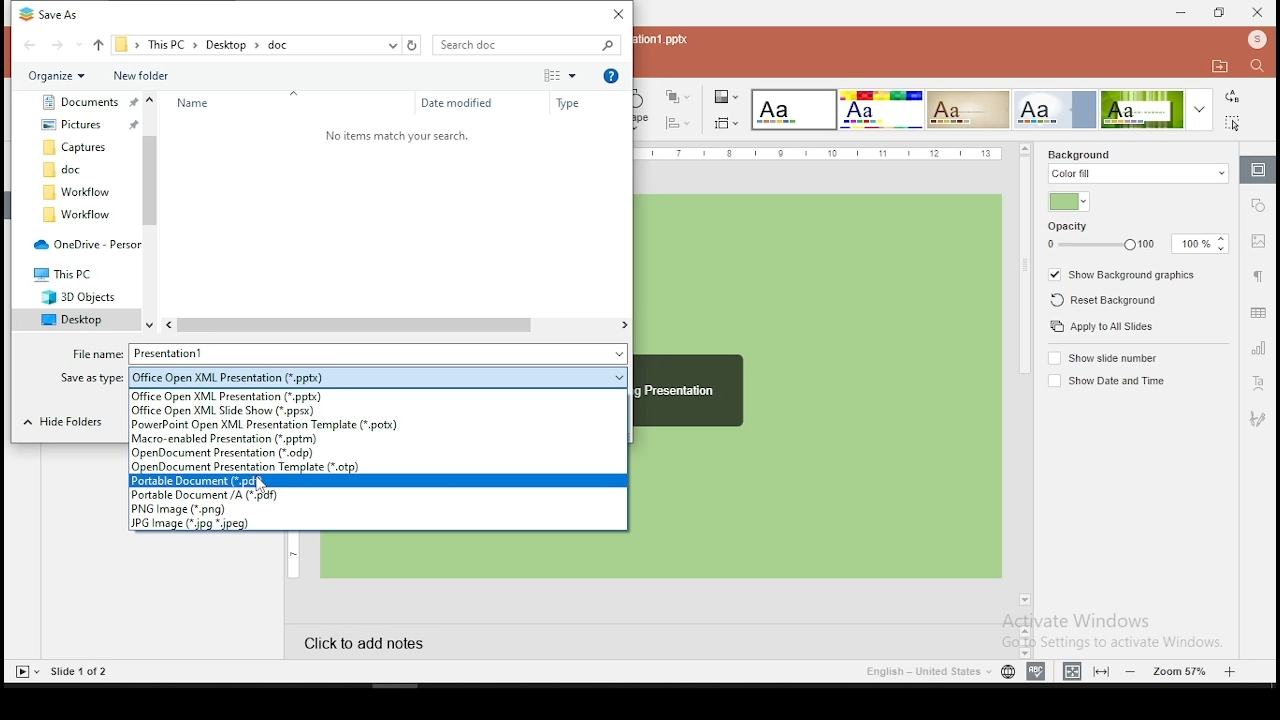 This screenshot has width=1280, height=720. What do you see at coordinates (1056, 109) in the screenshot?
I see `select color theme` at bounding box center [1056, 109].